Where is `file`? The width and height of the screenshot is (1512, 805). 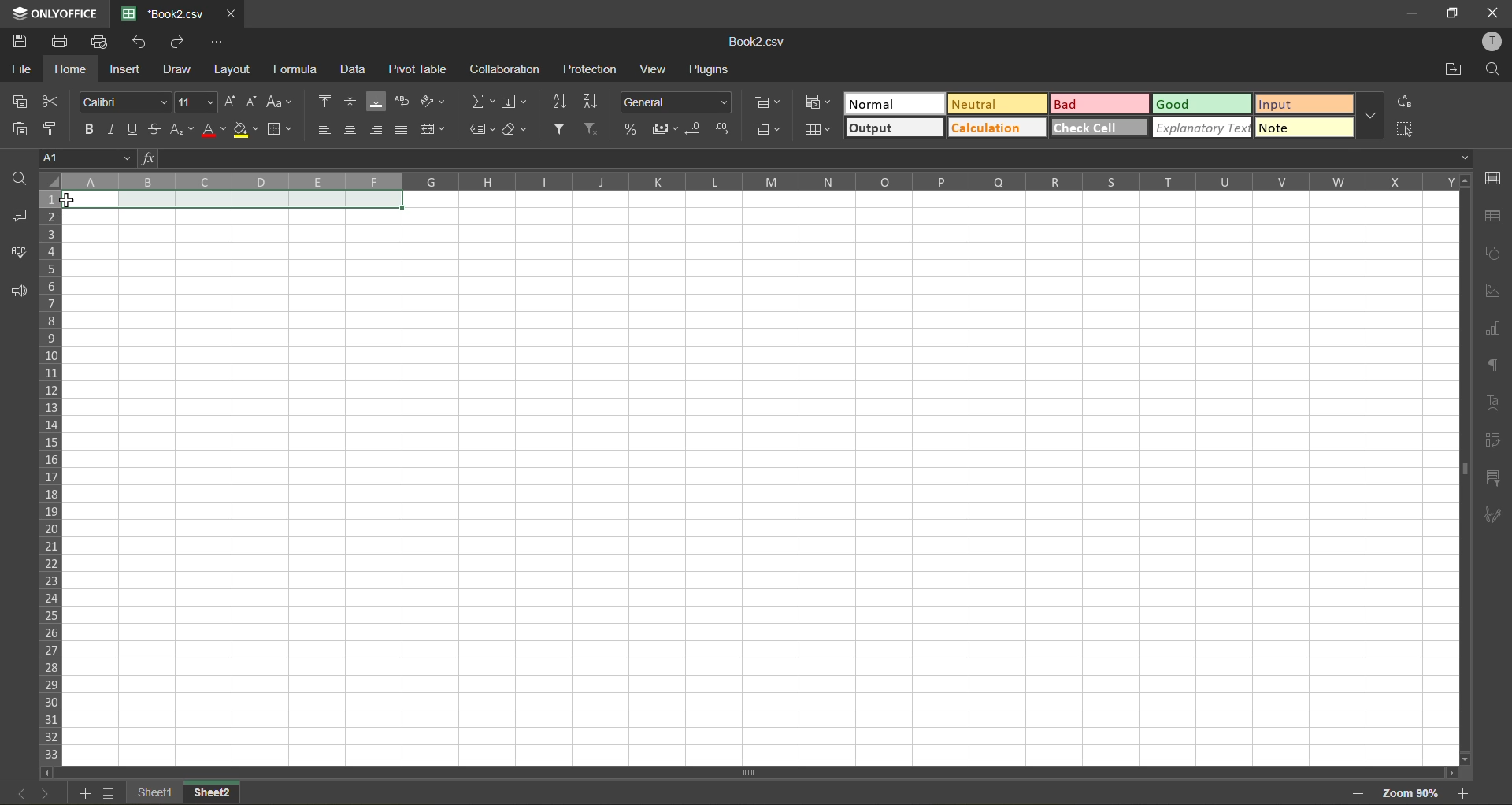
file is located at coordinates (19, 66).